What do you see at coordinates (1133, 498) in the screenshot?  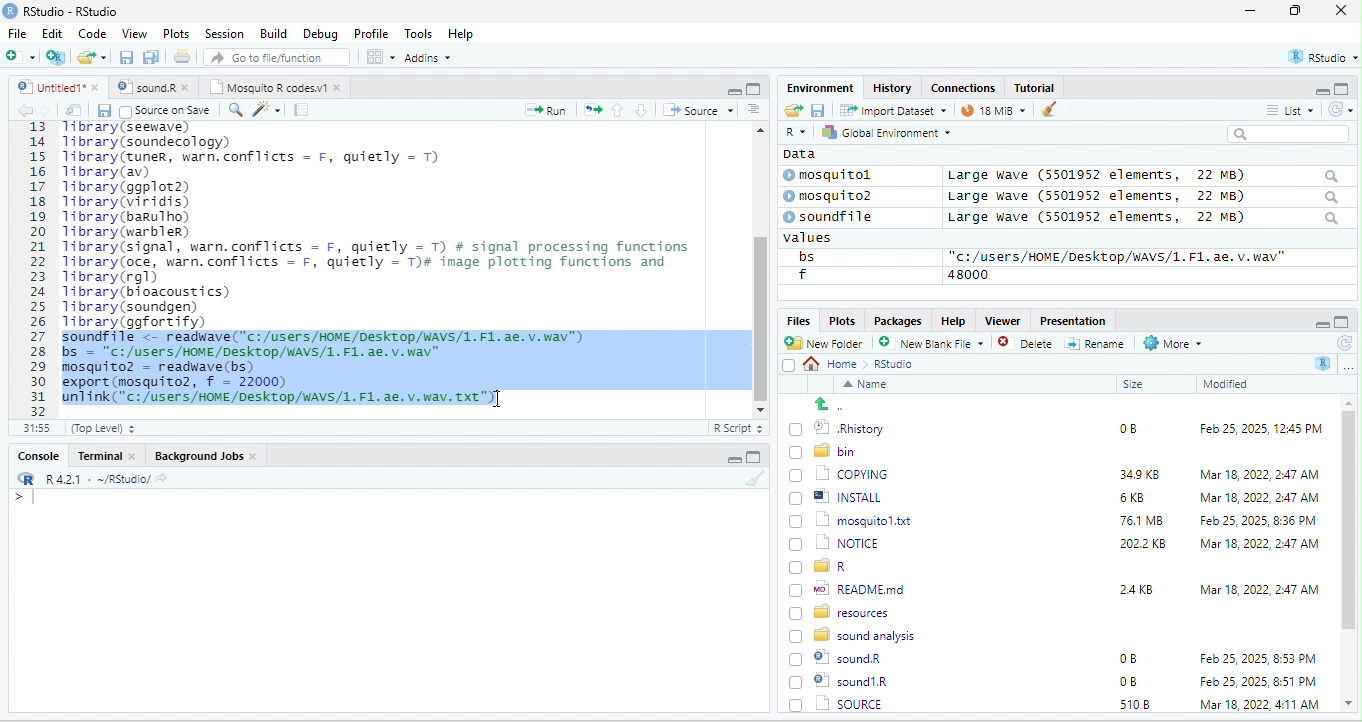 I see `6KB` at bounding box center [1133, 498].